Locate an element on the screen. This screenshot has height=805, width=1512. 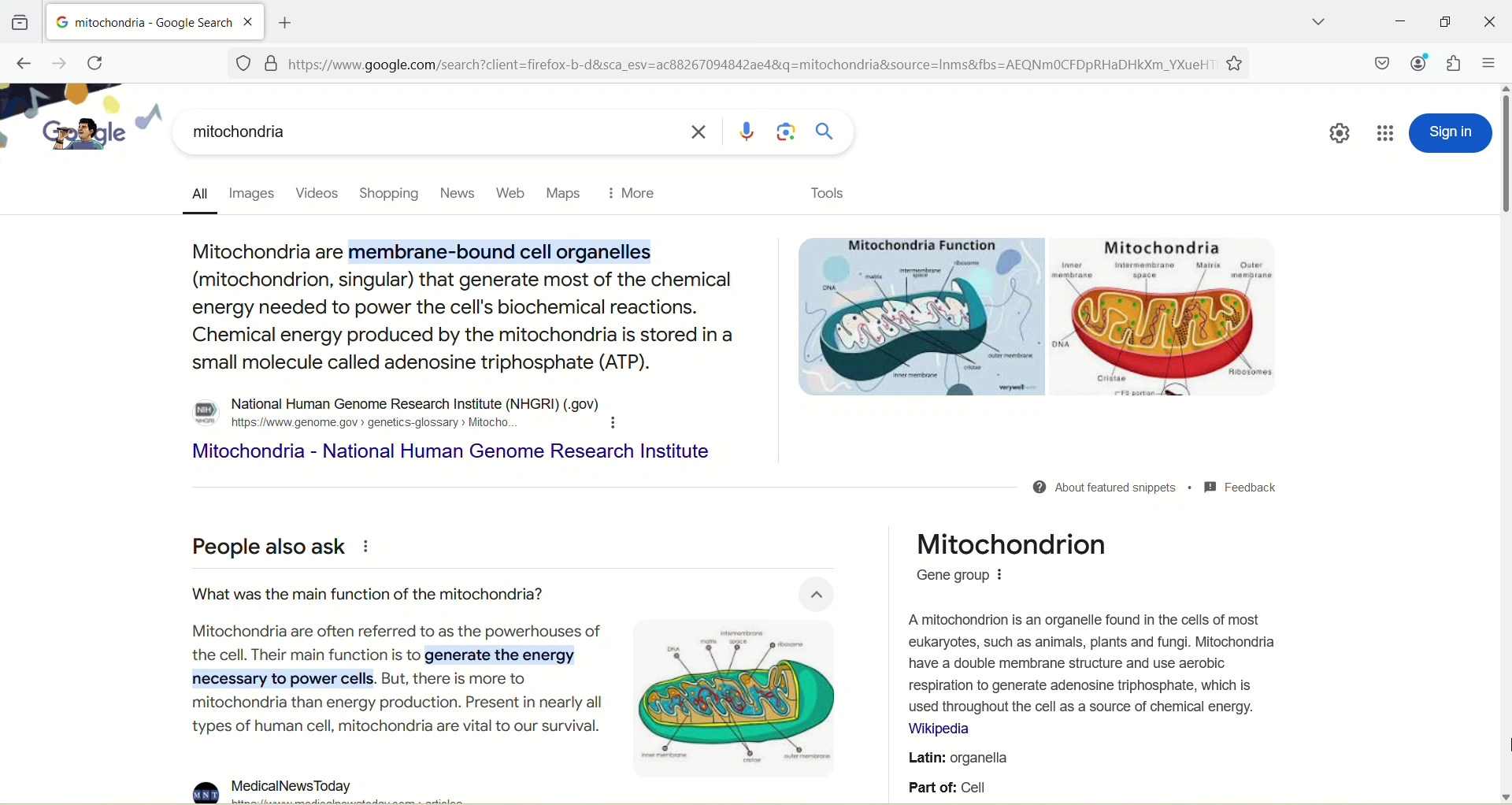
Mitochondria are often referred to as the powerhouses ofthe cell. Their main function is to generate the energynecessary to power cells. But, there is more tomitochondria than energy production. Present in nearly alltypes of human cell, mitochondria are vital to our survival. is located at coordinates (398, 677).